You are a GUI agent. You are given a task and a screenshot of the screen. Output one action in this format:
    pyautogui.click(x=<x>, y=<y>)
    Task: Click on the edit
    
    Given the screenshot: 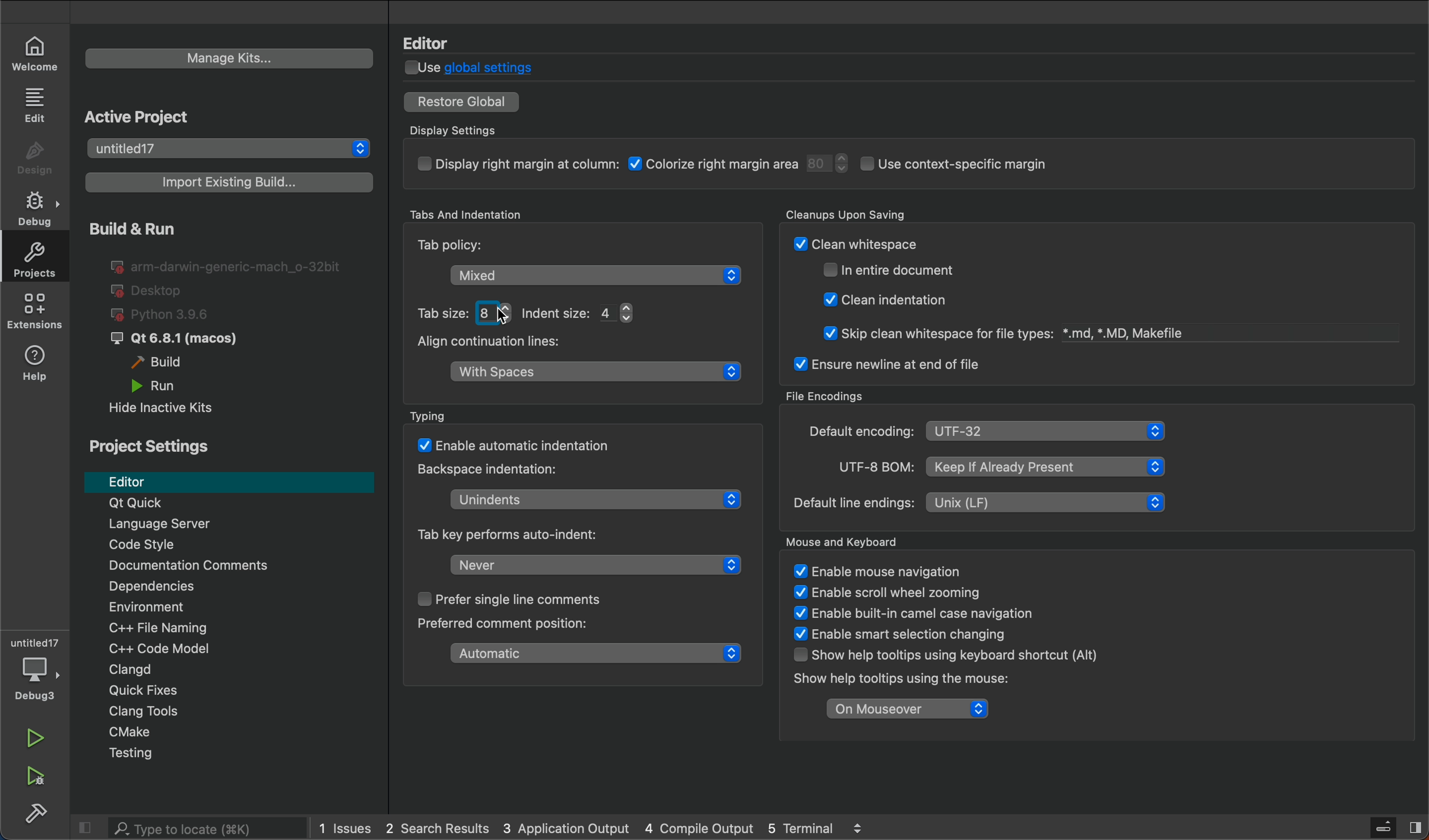 What is the action you would take?
    pyautogui.click(x=39, y=107)
    